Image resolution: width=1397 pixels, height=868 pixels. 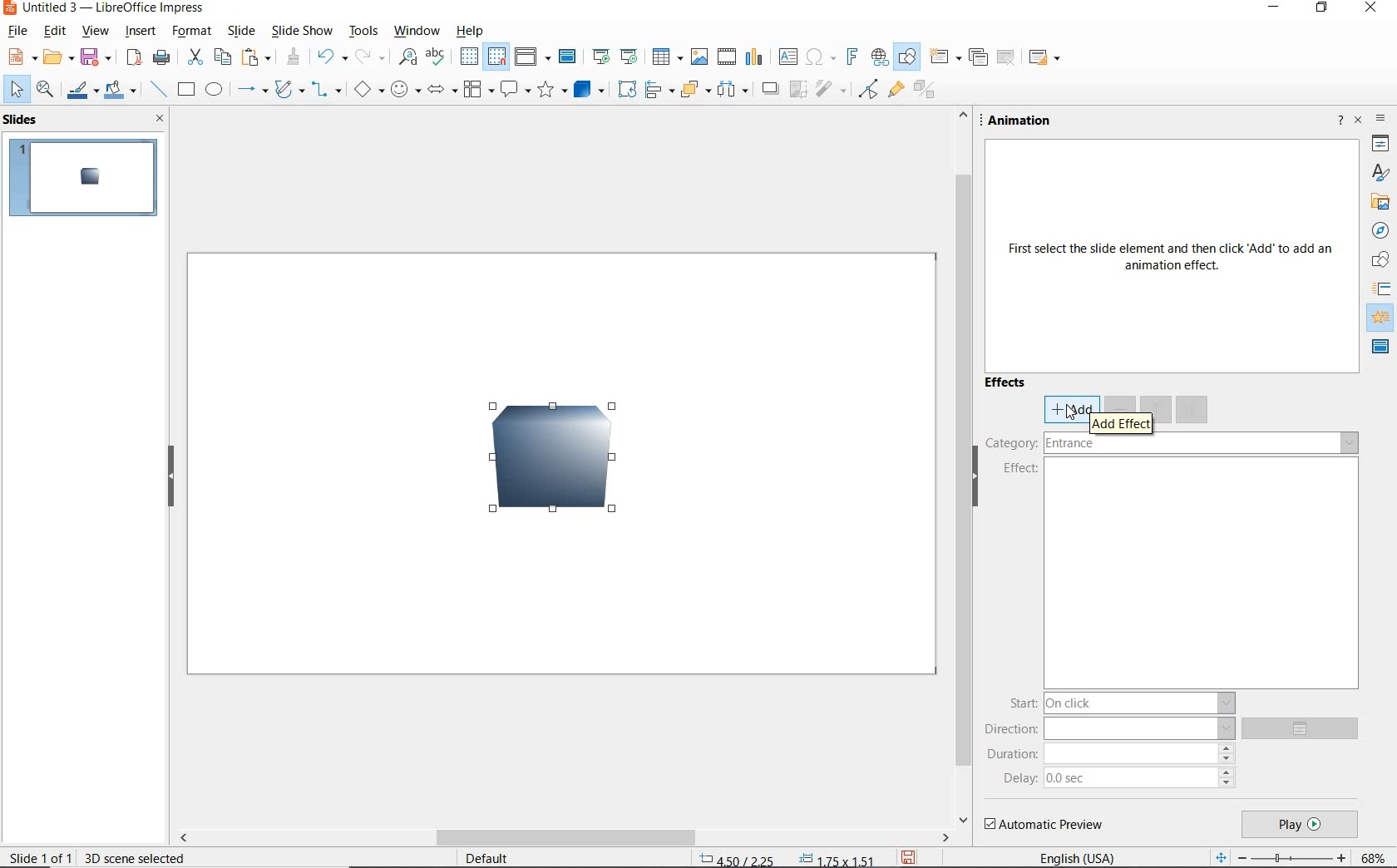 I want to click on animation, so click(x=1024, y=121).